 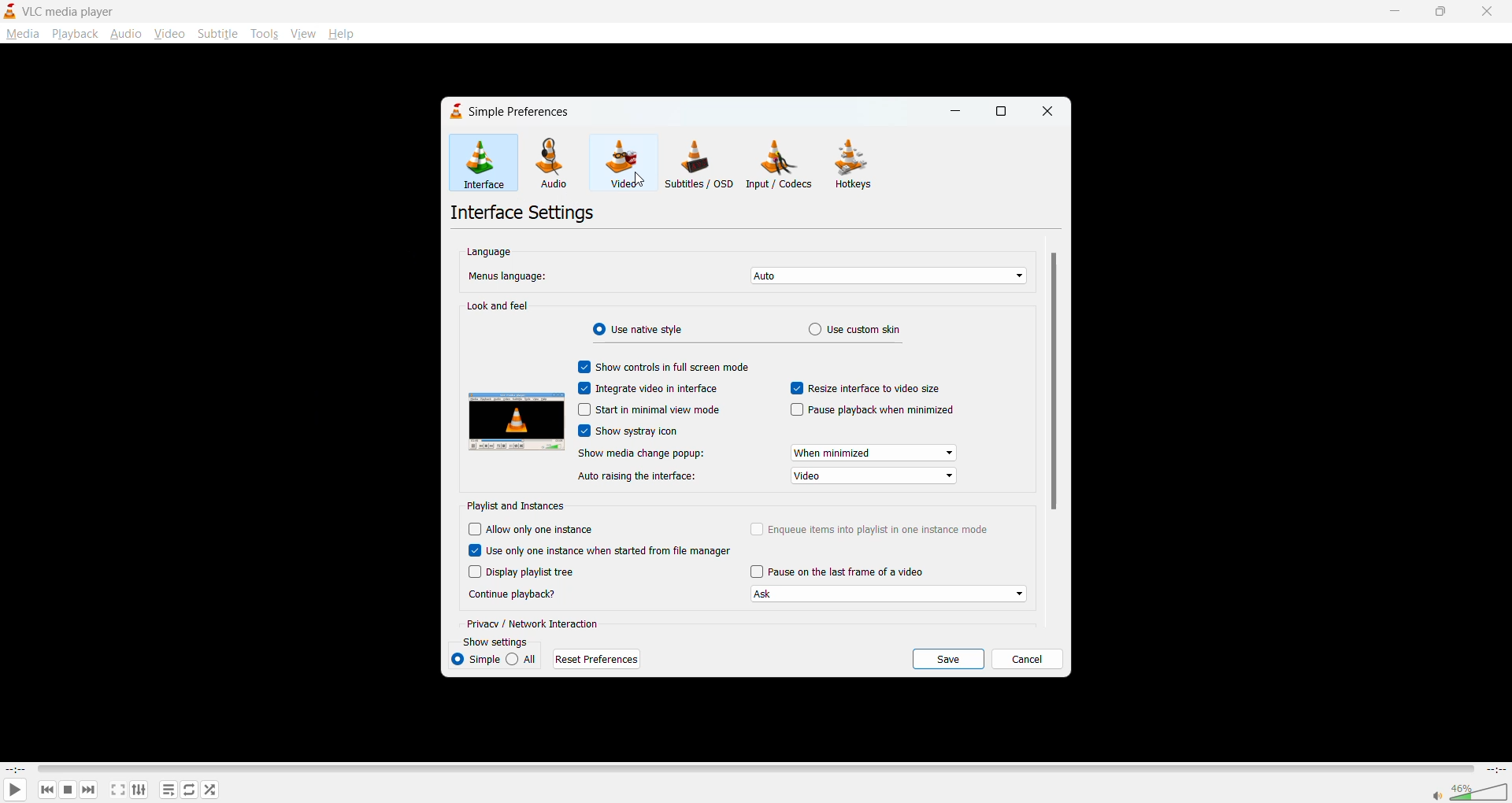 I want to click on next, so click(x=86, y=790).